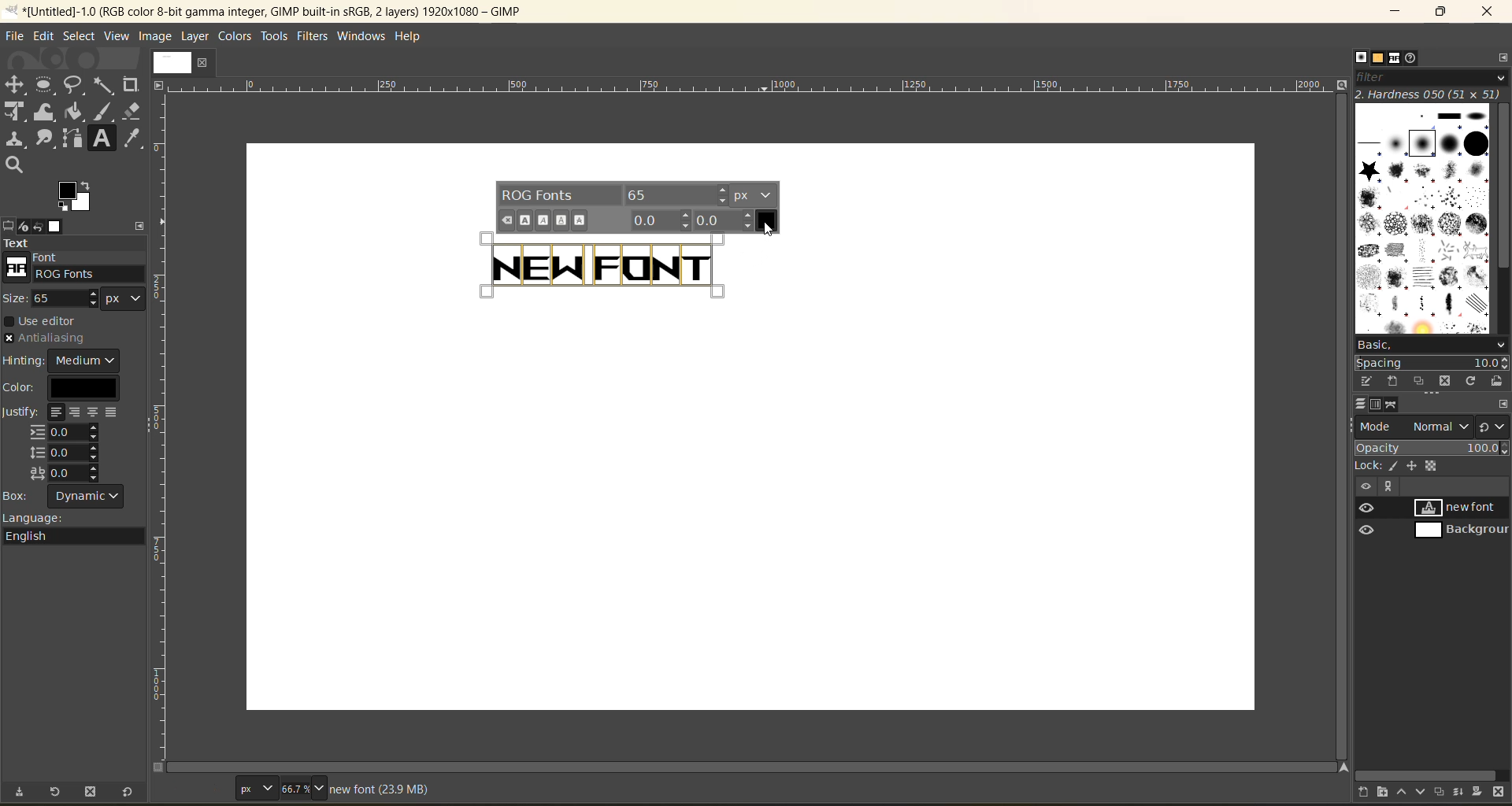 Image resolution: width=1512 pixels, height=806 pixels. I want to click on open brush as image, so click(1499, 383).